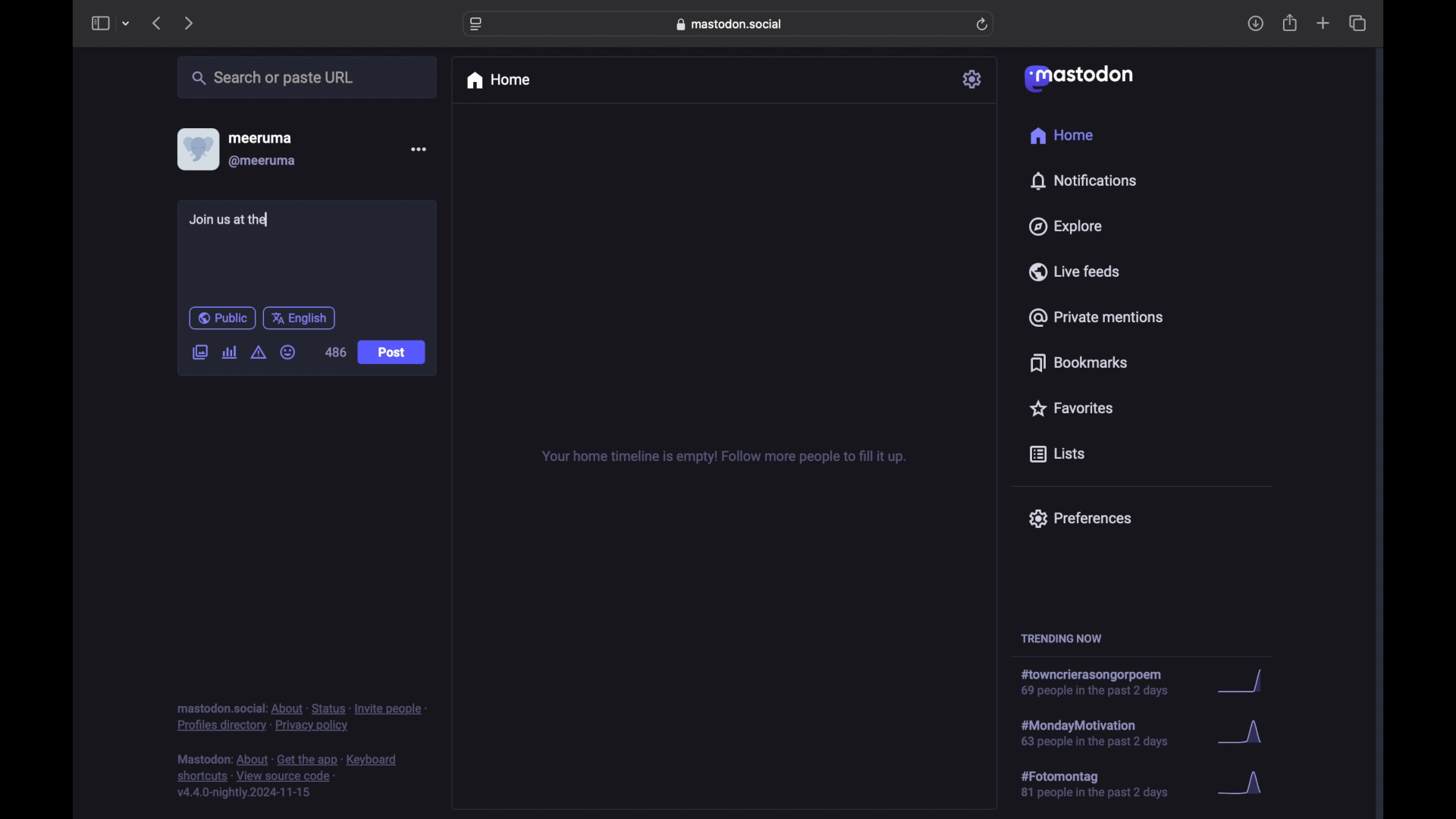 The image size is (1456, 819). Describe the element at coordinates (229, 220) in the screenshot. I see `Join us at the` at that location.